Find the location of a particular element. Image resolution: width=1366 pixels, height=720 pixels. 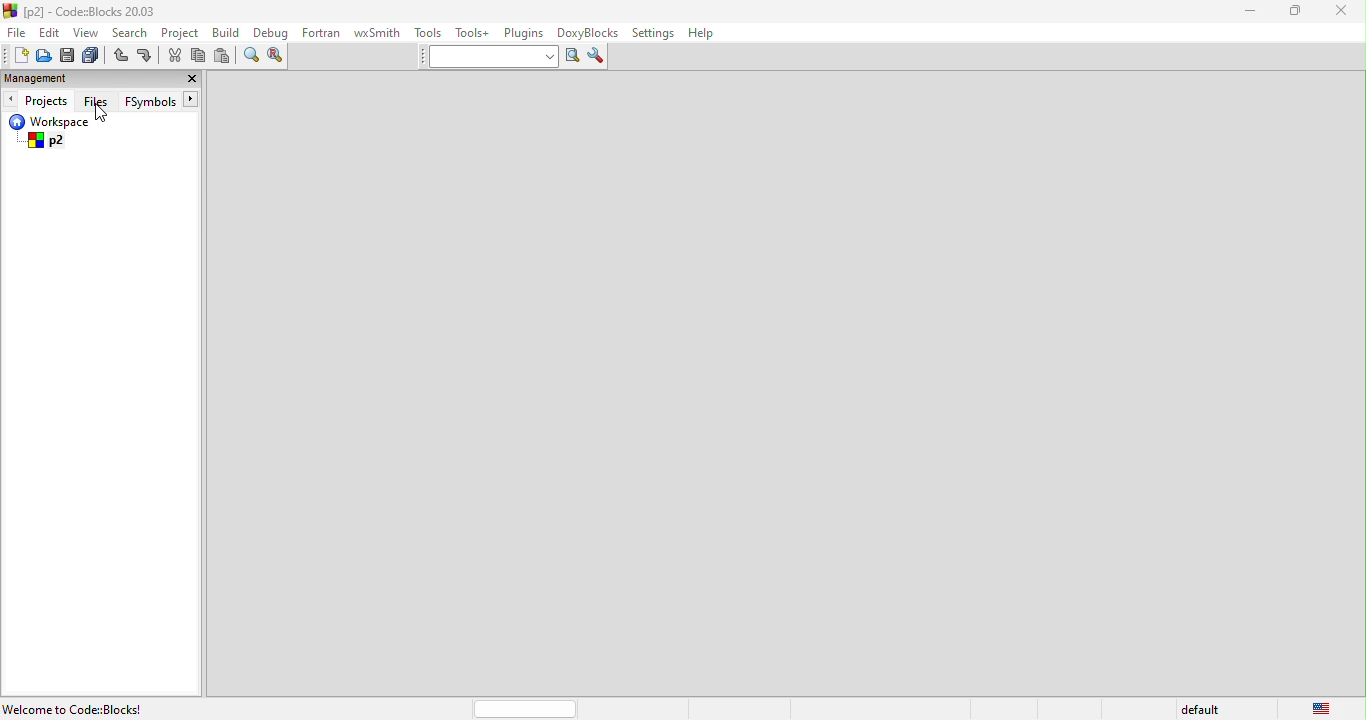

copy is located at coordinates (199, 56).